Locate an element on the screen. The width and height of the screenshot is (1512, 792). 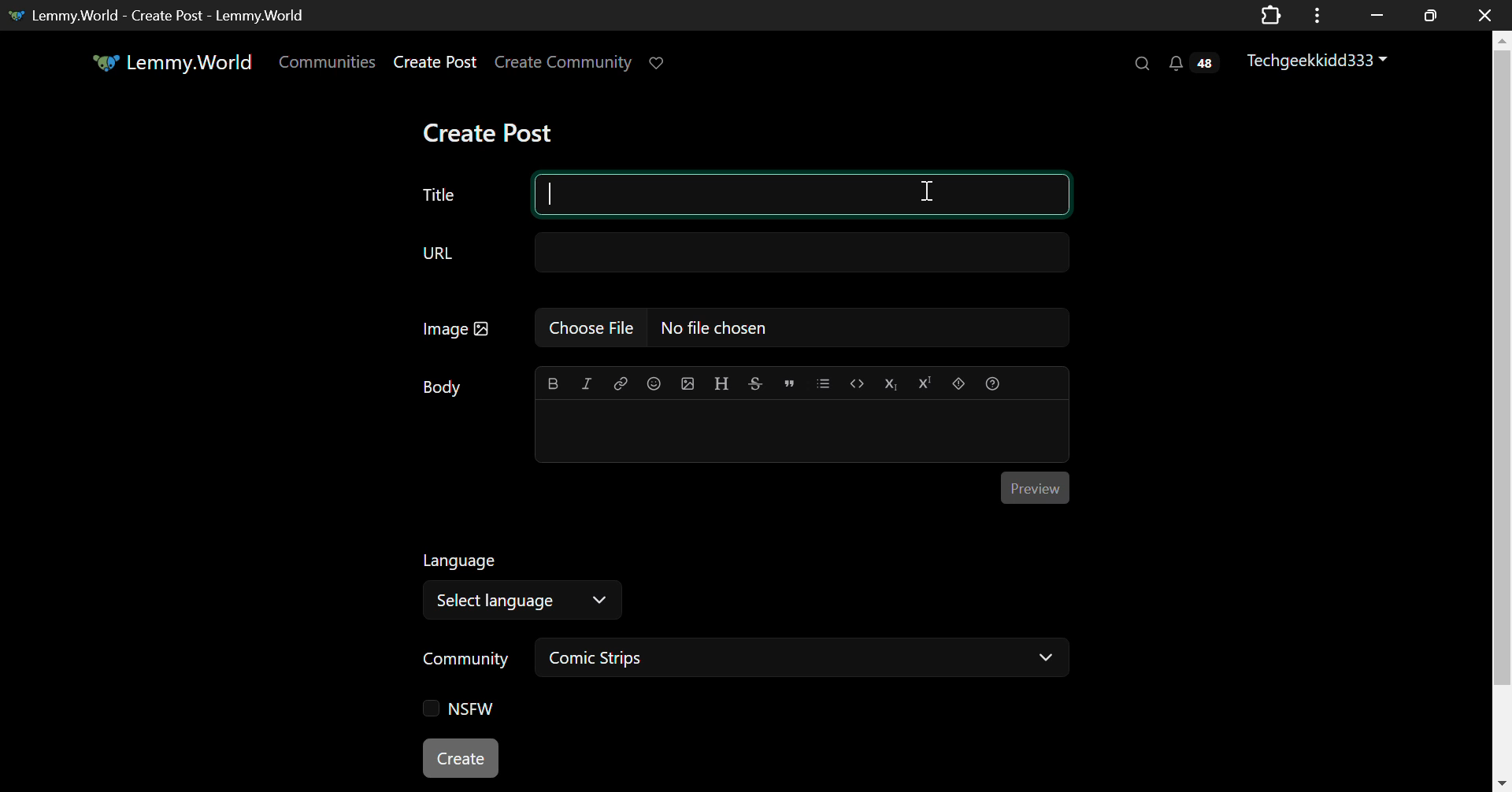
spoiler is located at coordinates (956, 383).